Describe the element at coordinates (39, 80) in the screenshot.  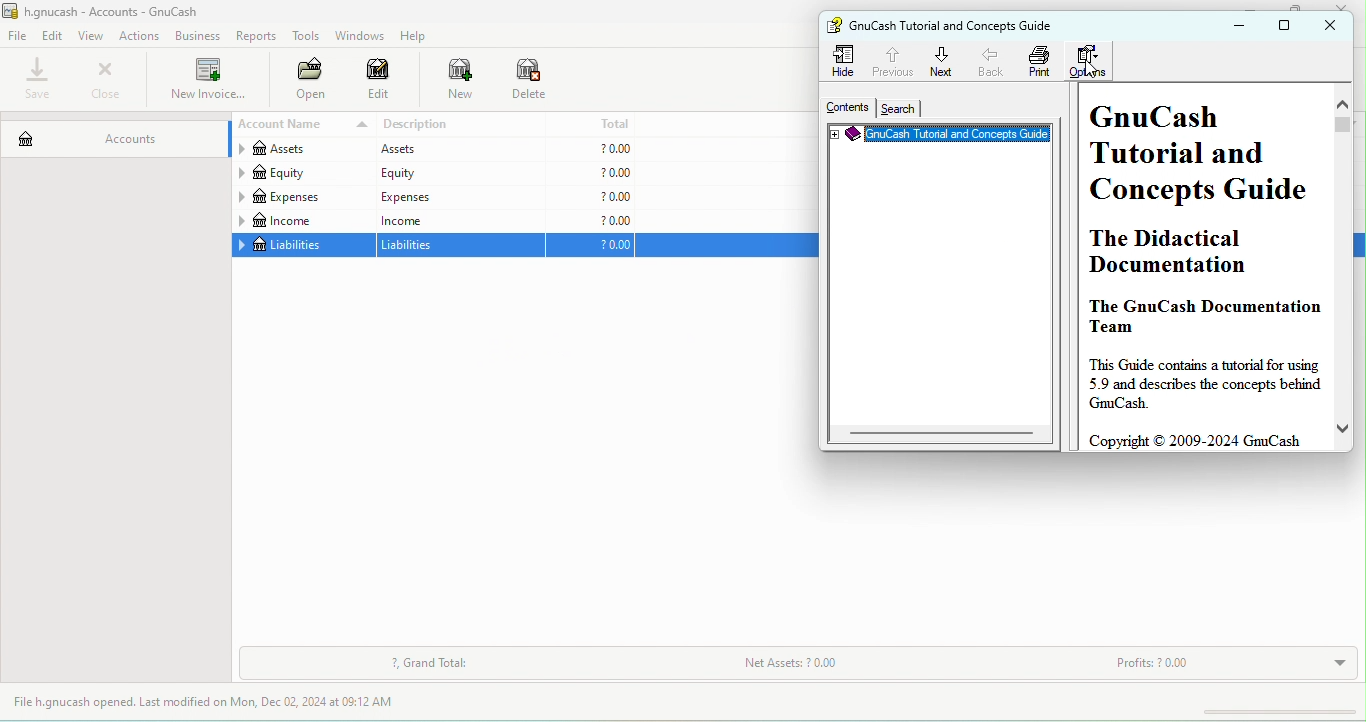
I see `save` at that location.